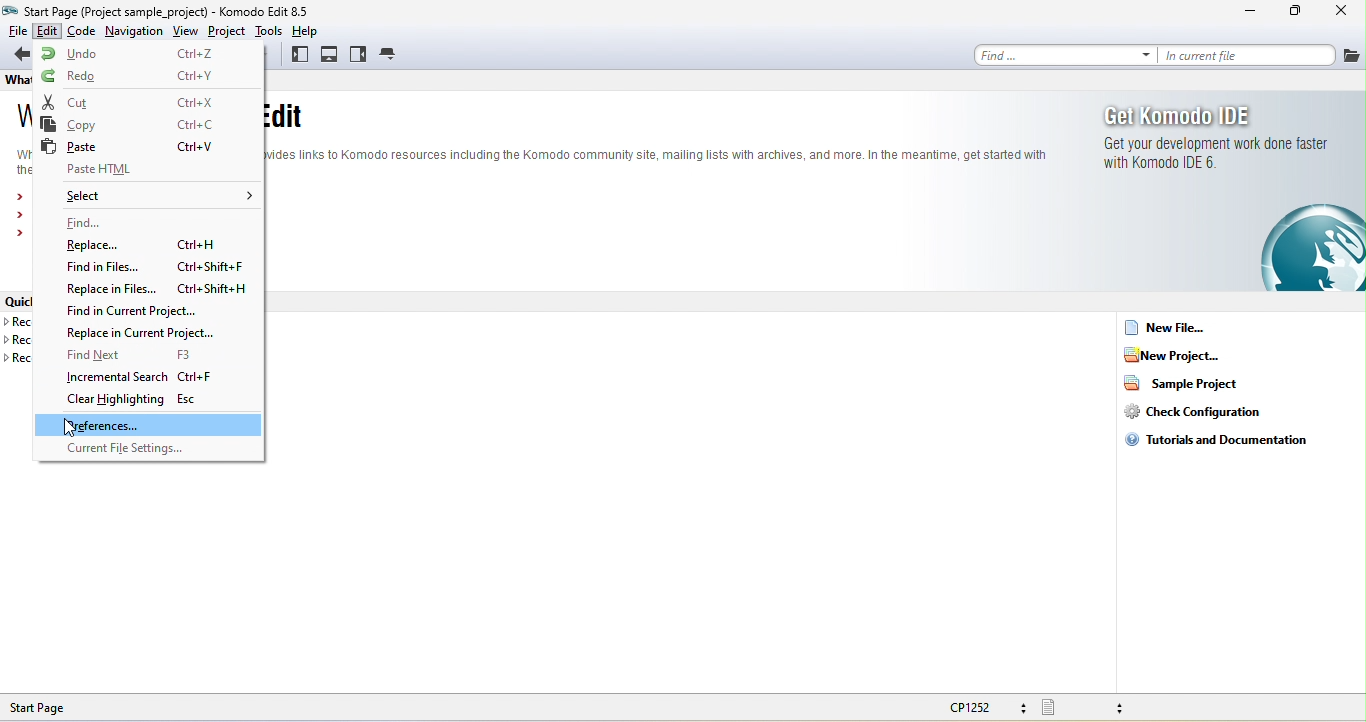  Describe the element at coordinates (310, 31) in the screenshot. I see `help` at that location.